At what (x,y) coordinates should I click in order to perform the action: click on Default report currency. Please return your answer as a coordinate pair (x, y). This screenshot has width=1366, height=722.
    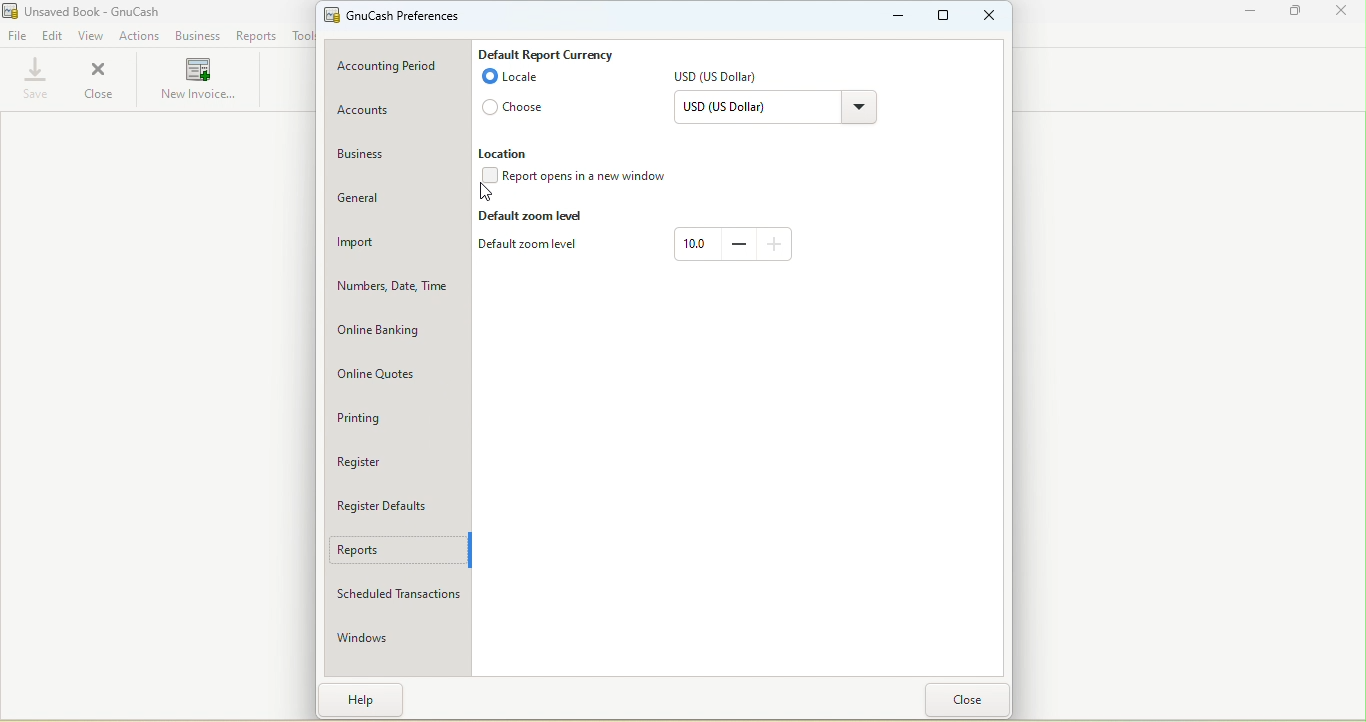
    Looking at the image, I should click on (546, 52).